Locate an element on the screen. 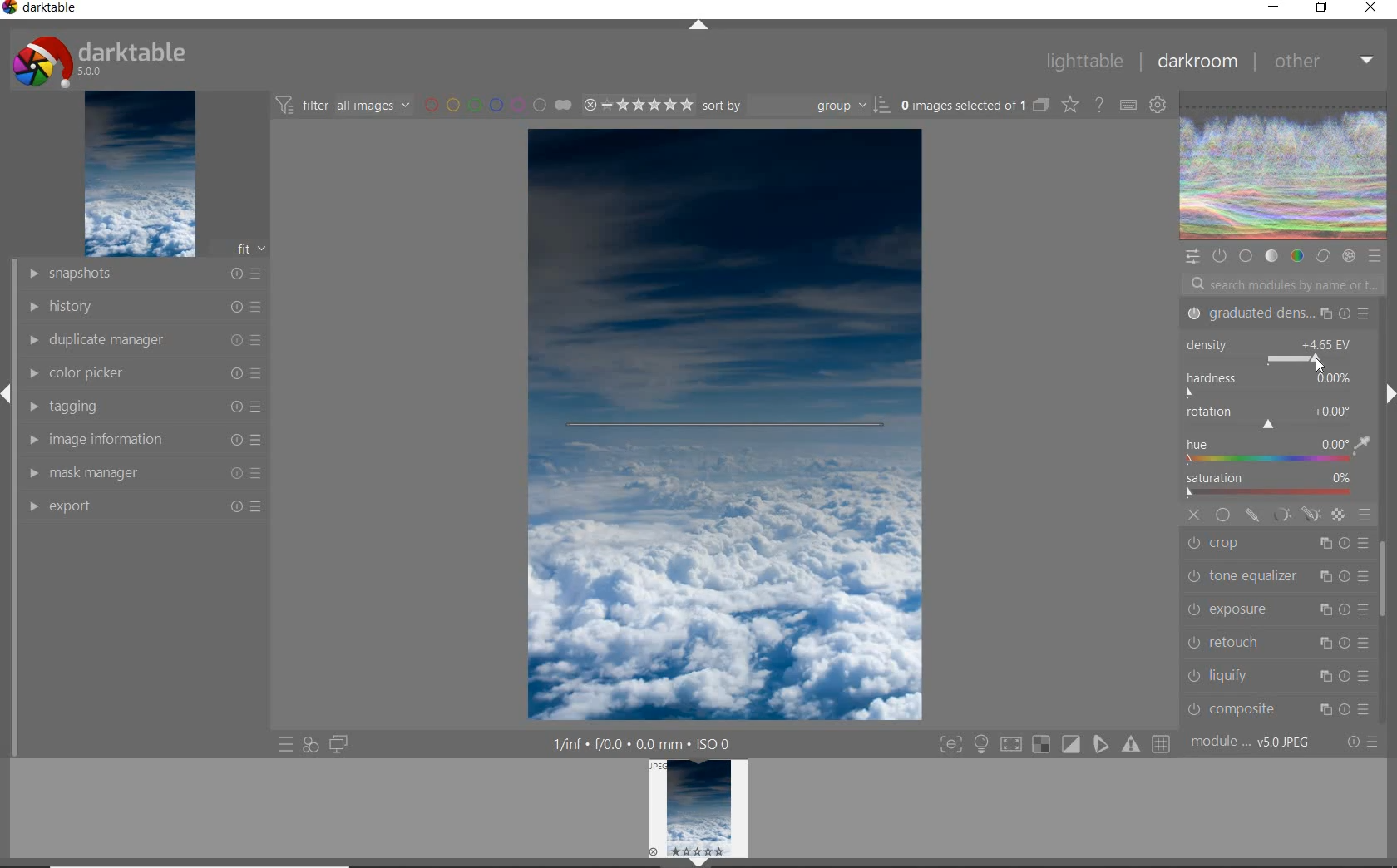 This screenshot has width=1397, height=868. EFFECT is located at coordinates (1349, 256).